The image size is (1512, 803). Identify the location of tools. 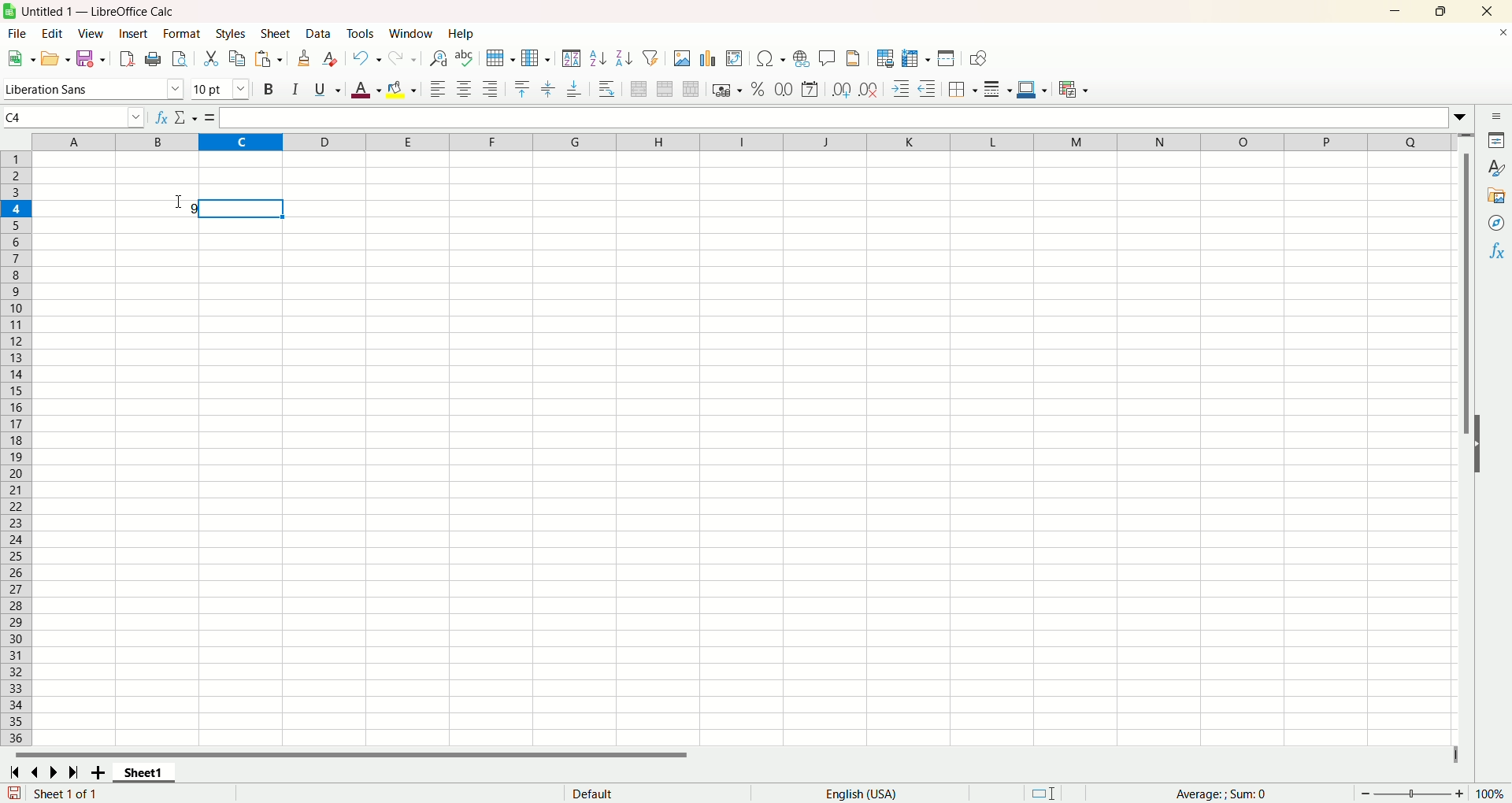
(364, 34).